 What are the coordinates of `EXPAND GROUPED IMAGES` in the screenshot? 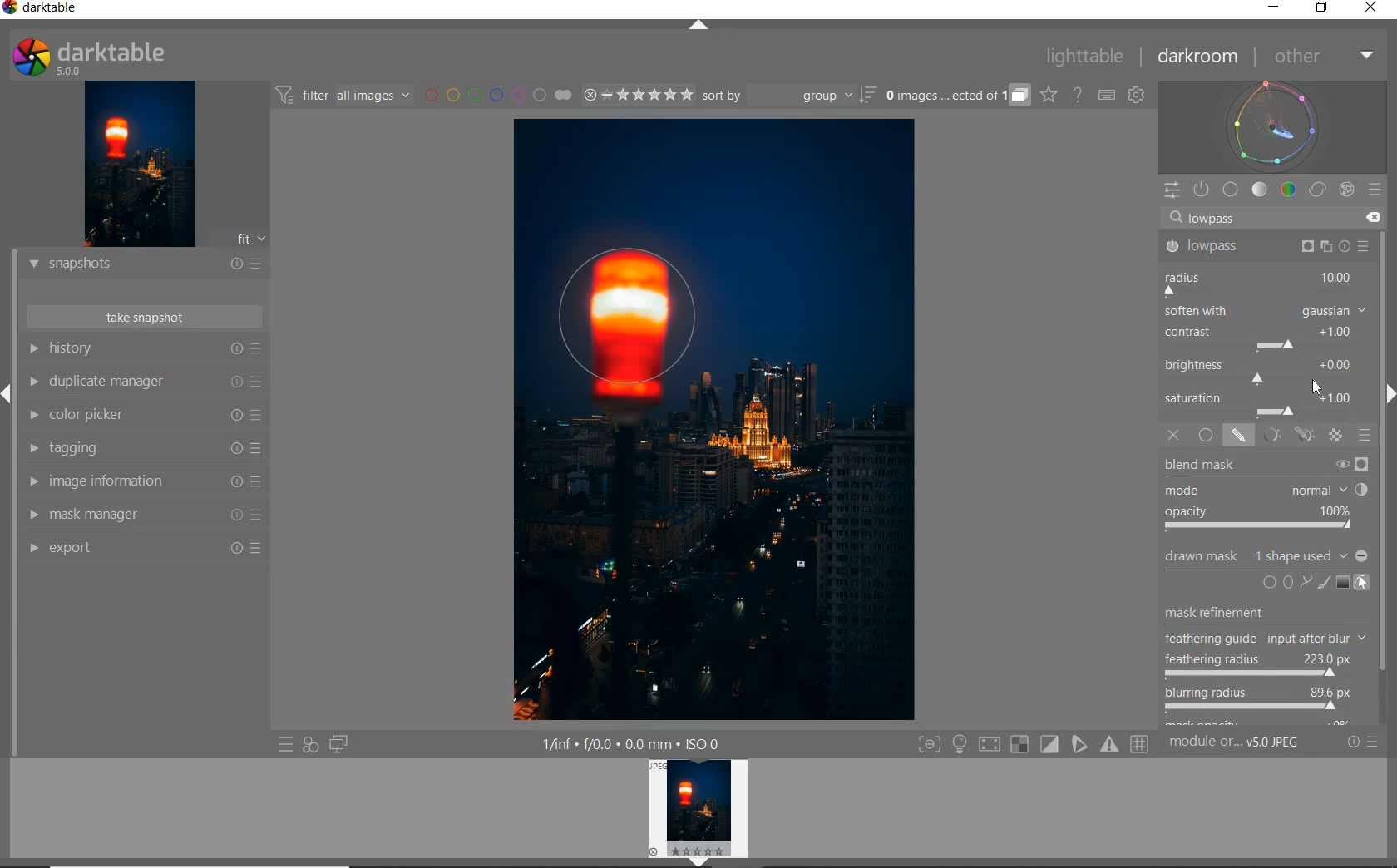 It's located at (955, 96).